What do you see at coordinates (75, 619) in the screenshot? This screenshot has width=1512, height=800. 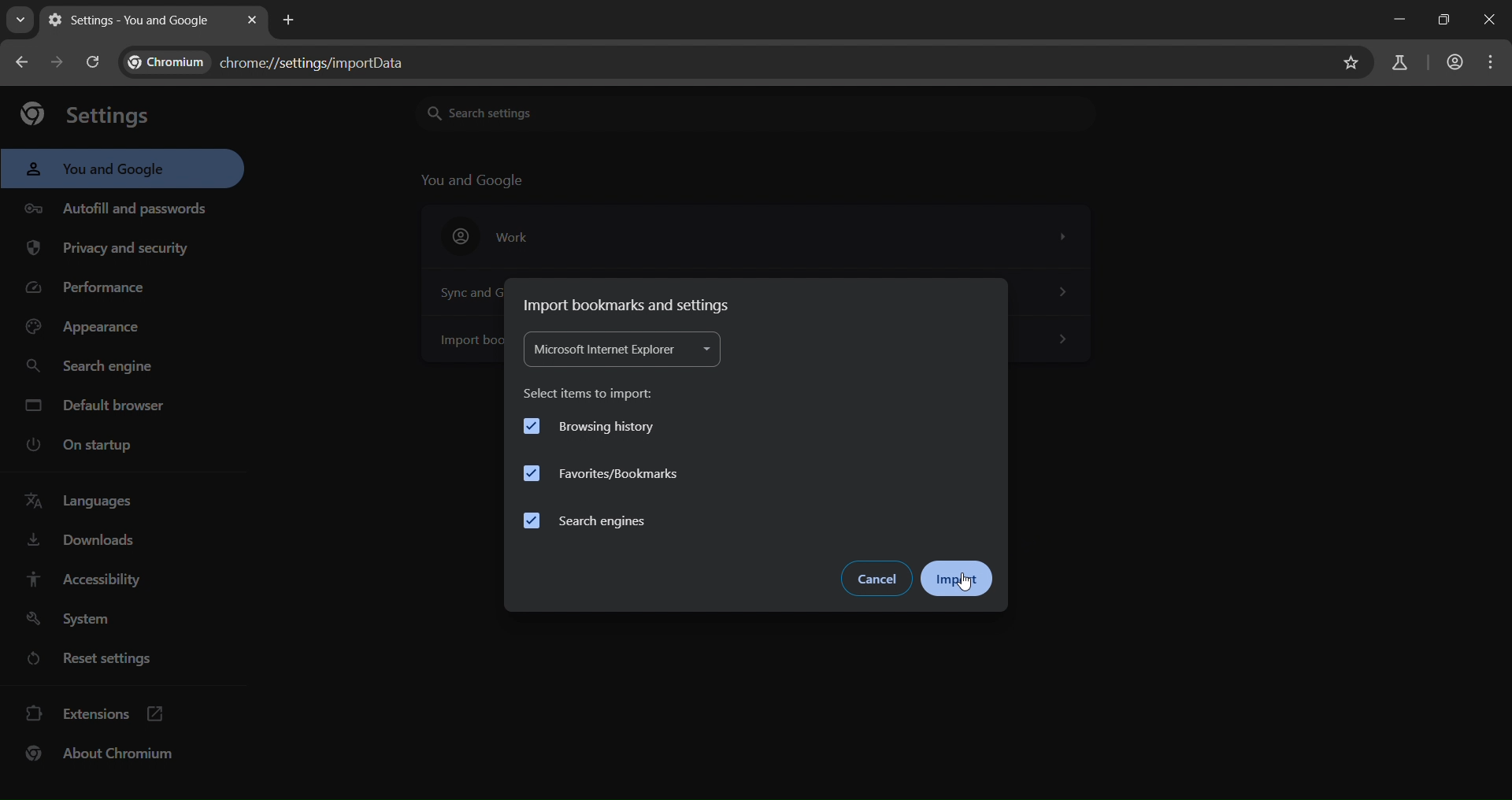 I see `ystem` at bounding box center [75, 619].